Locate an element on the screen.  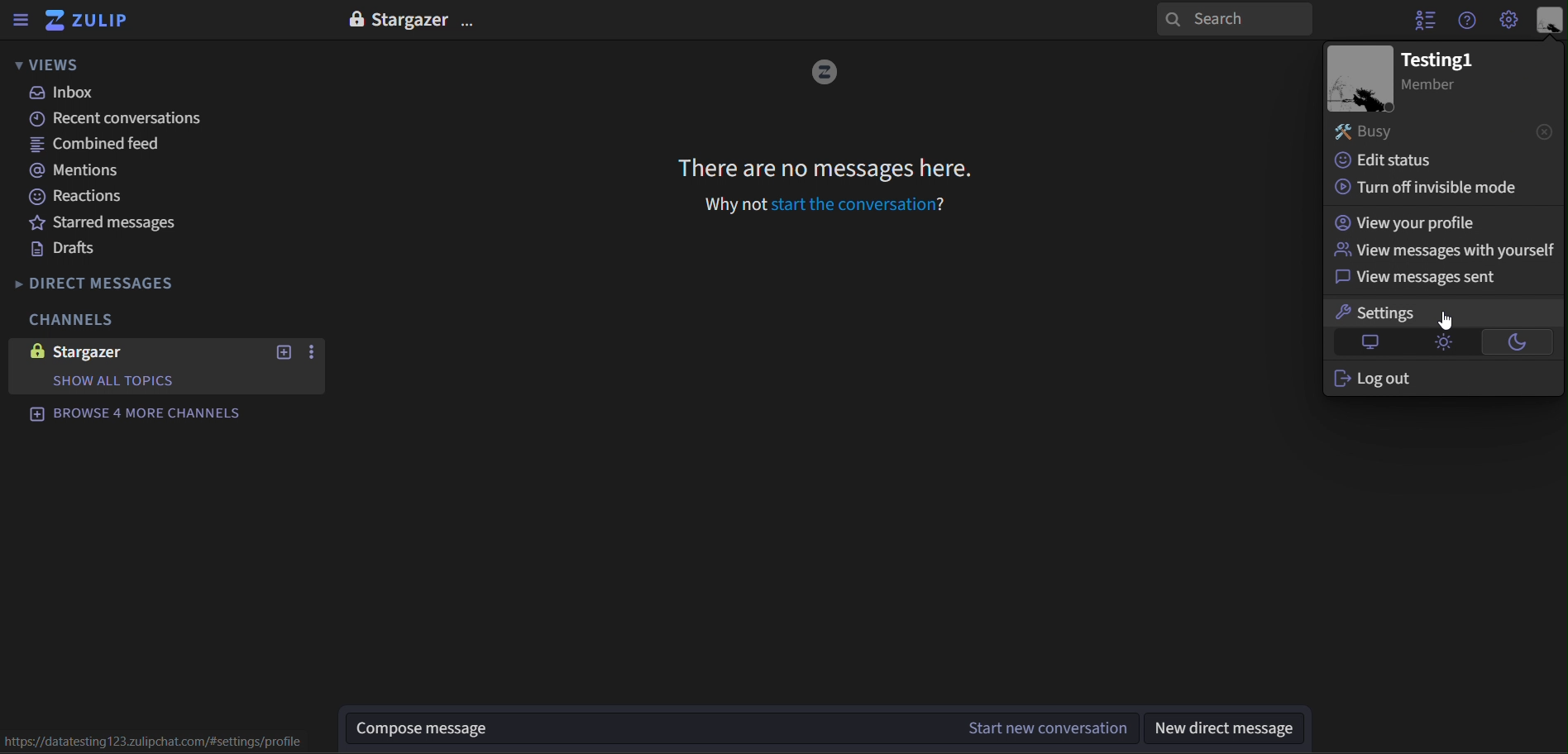
image is located at coordinates (828, 72).